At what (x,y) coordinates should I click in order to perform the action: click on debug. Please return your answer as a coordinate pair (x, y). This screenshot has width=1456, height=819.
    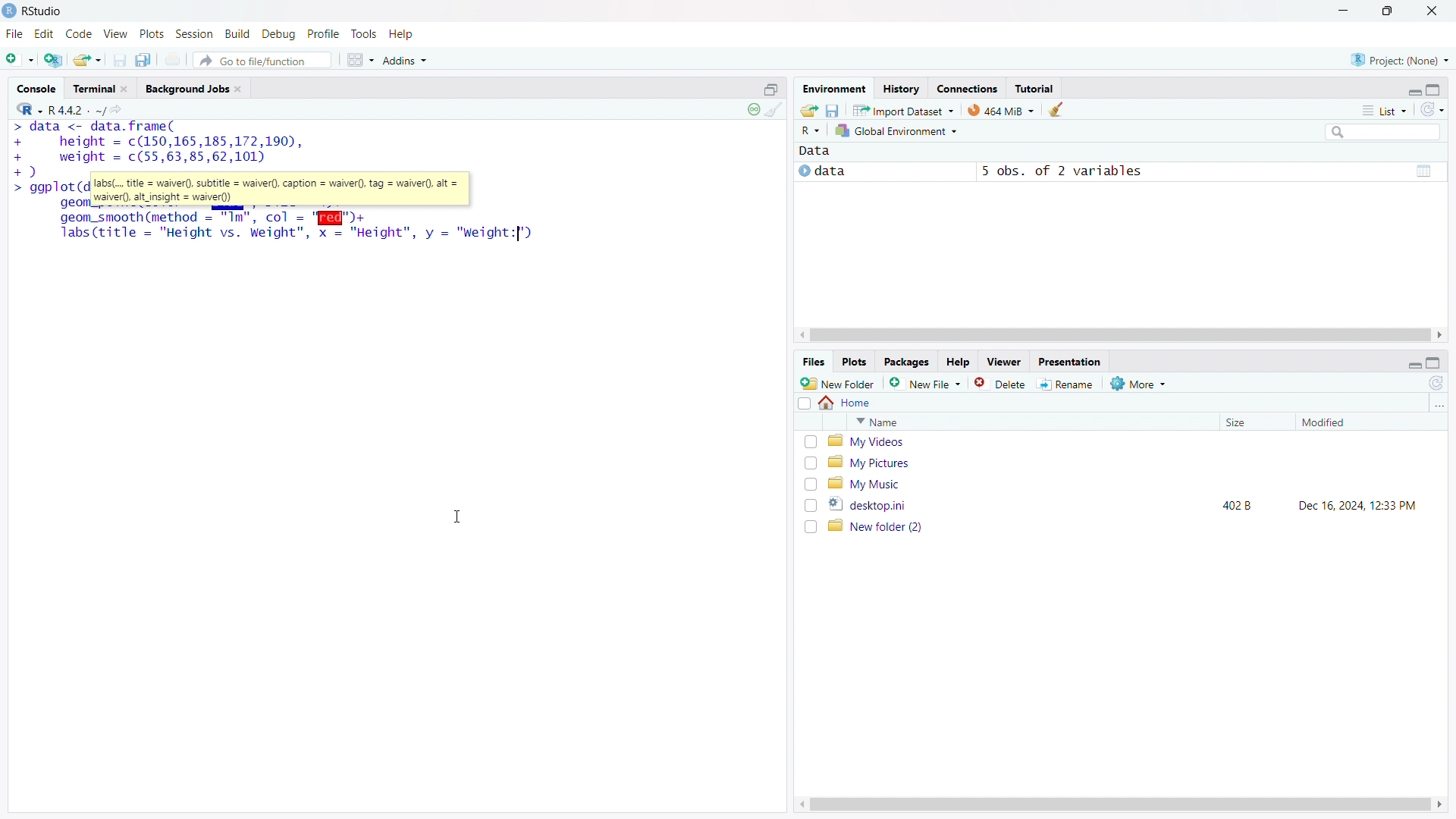
    Looking at the image, I should click on (279, 34).